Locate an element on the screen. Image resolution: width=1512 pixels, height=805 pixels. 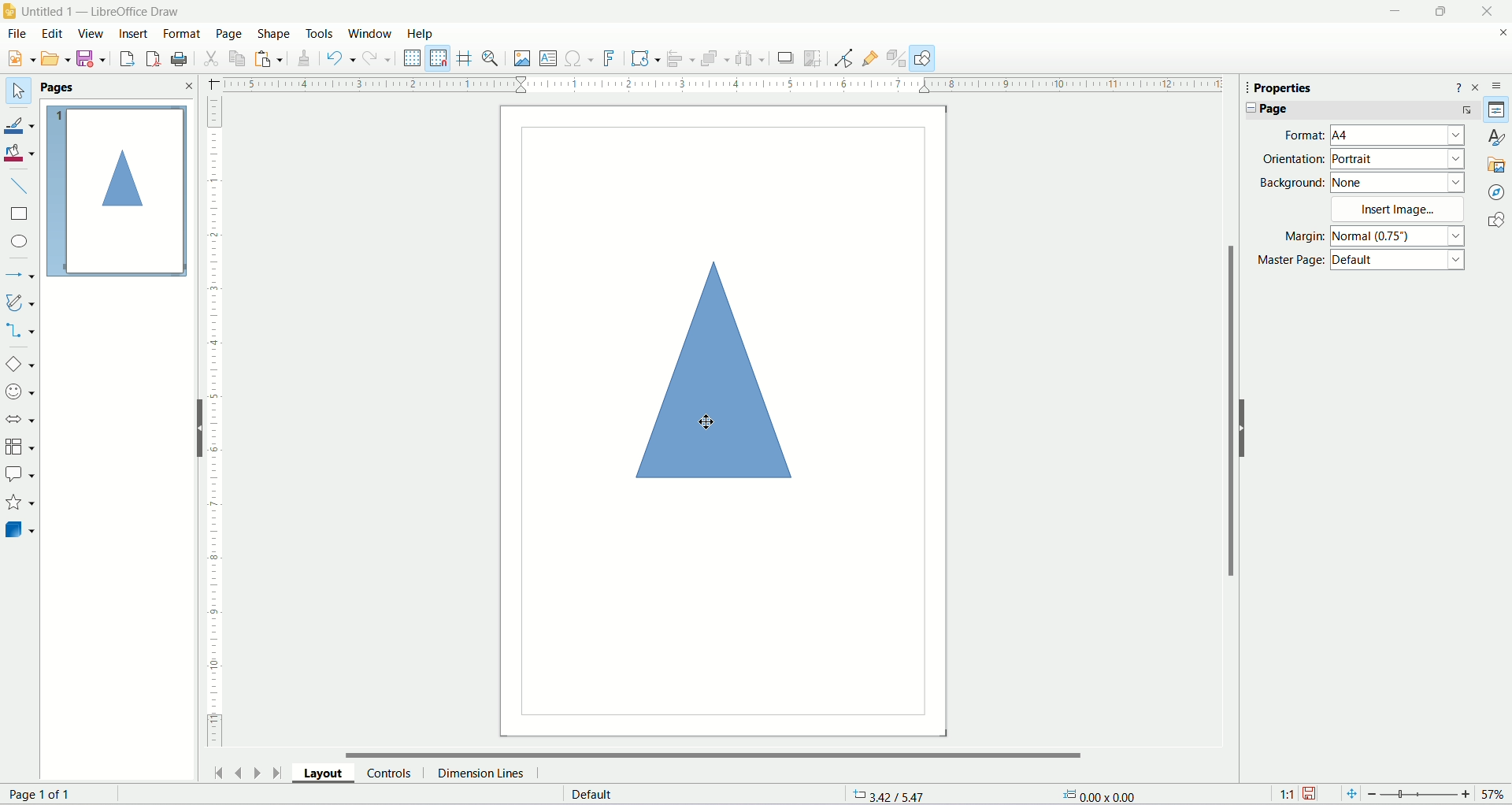
View is located at coordinates (89, 34).